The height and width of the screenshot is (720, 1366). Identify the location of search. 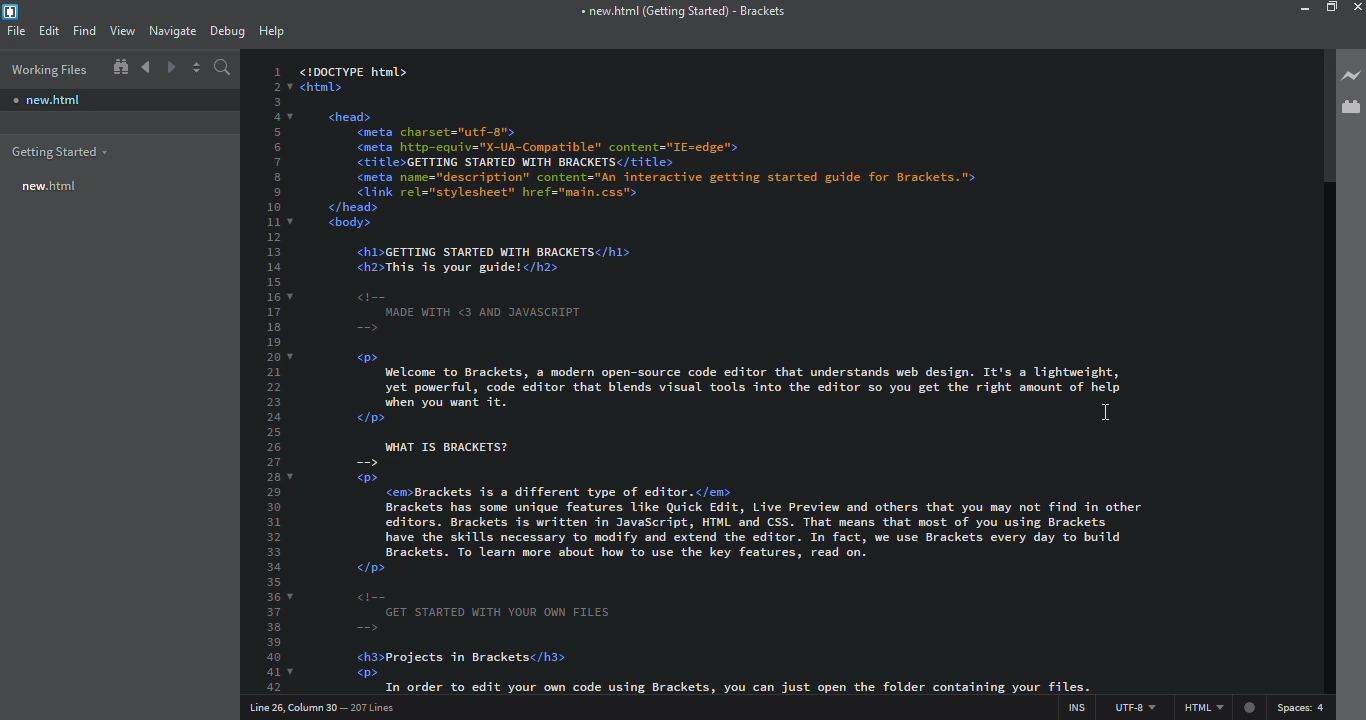
(223, 68).